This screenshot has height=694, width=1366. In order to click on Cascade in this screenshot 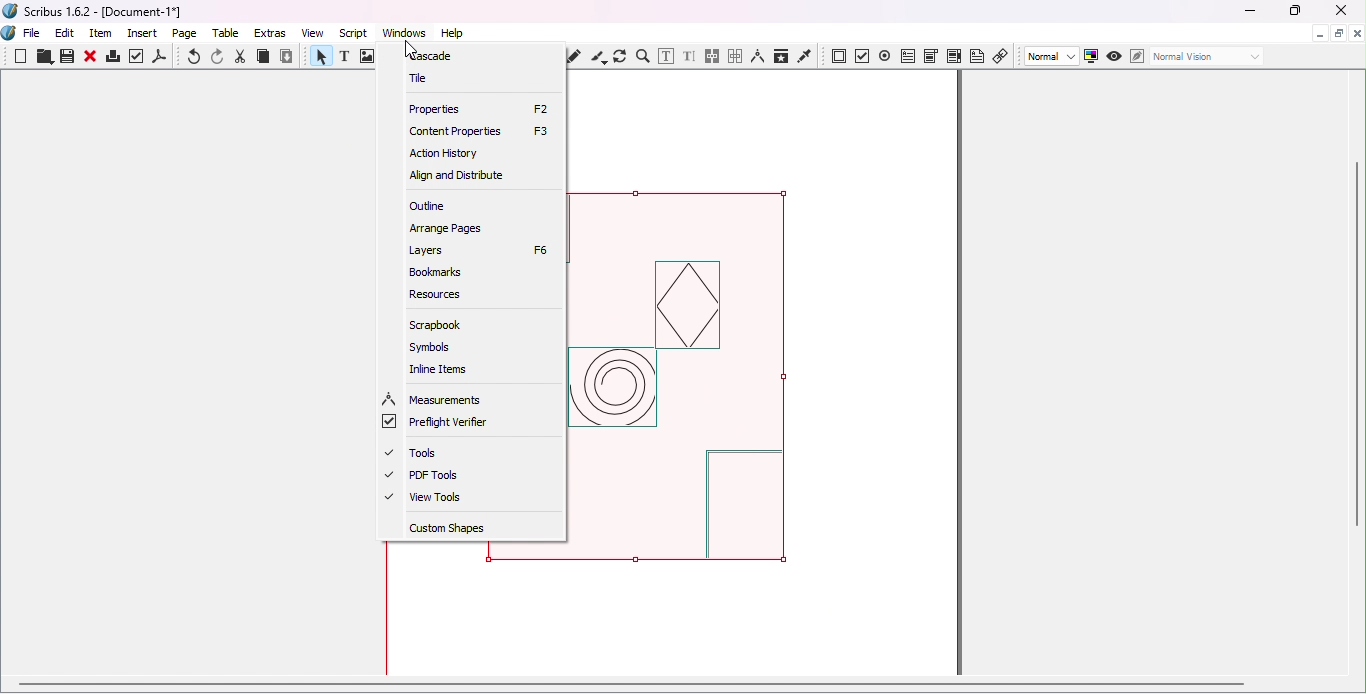, I will do `click(437, 55)`.